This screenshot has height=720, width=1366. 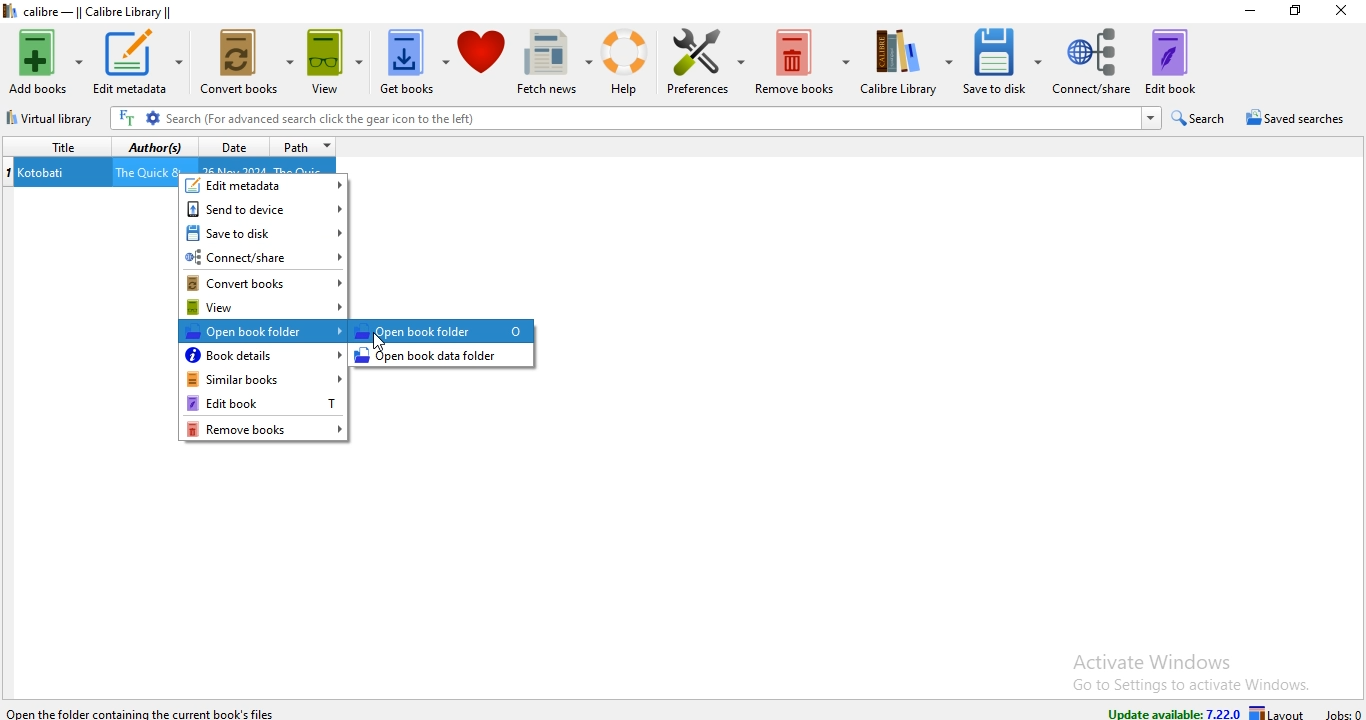 I want to click on save to disk, so click(x=1003, y=60).